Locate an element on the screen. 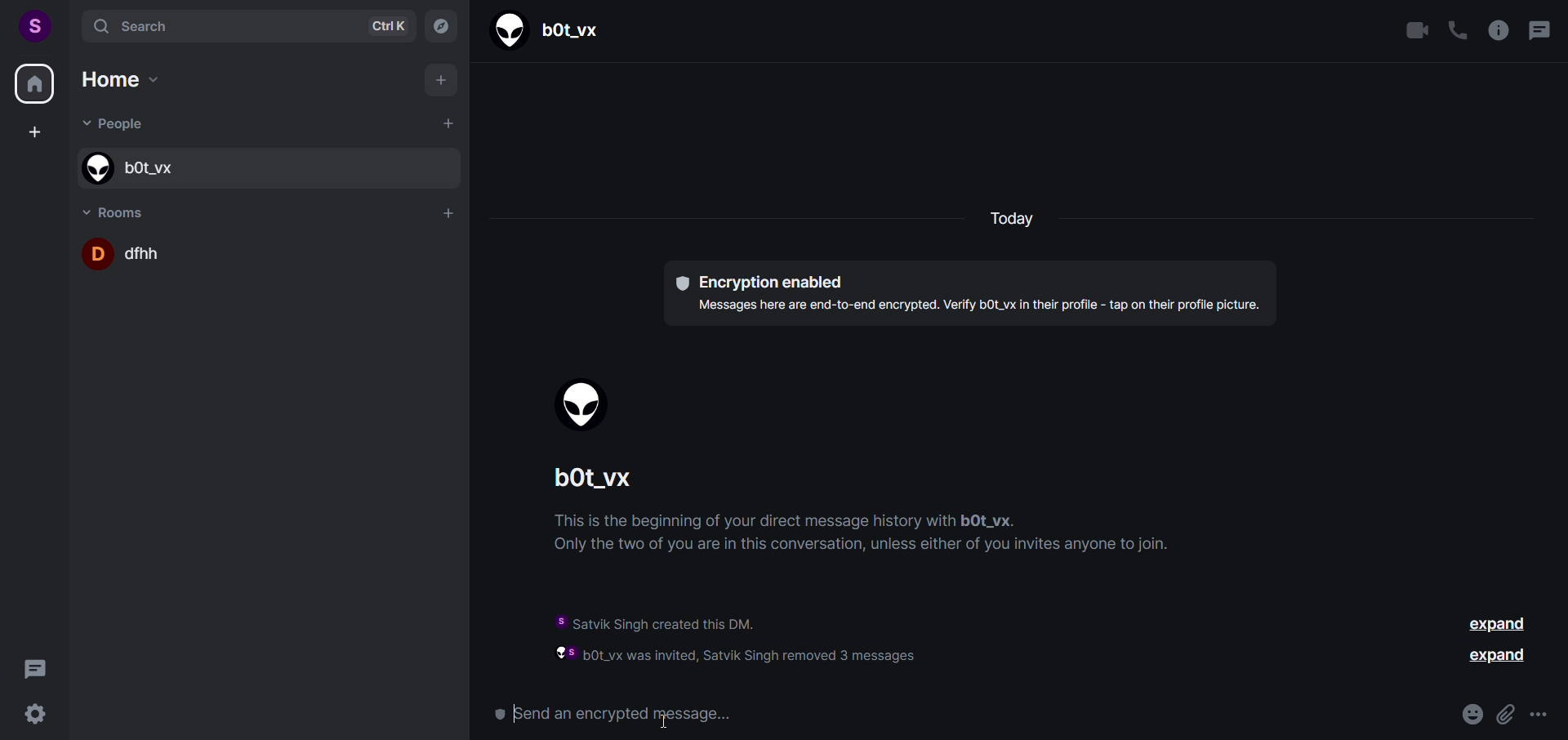 This screenshot has width=1568, height=740. today is located at coordinates (1010, 220).